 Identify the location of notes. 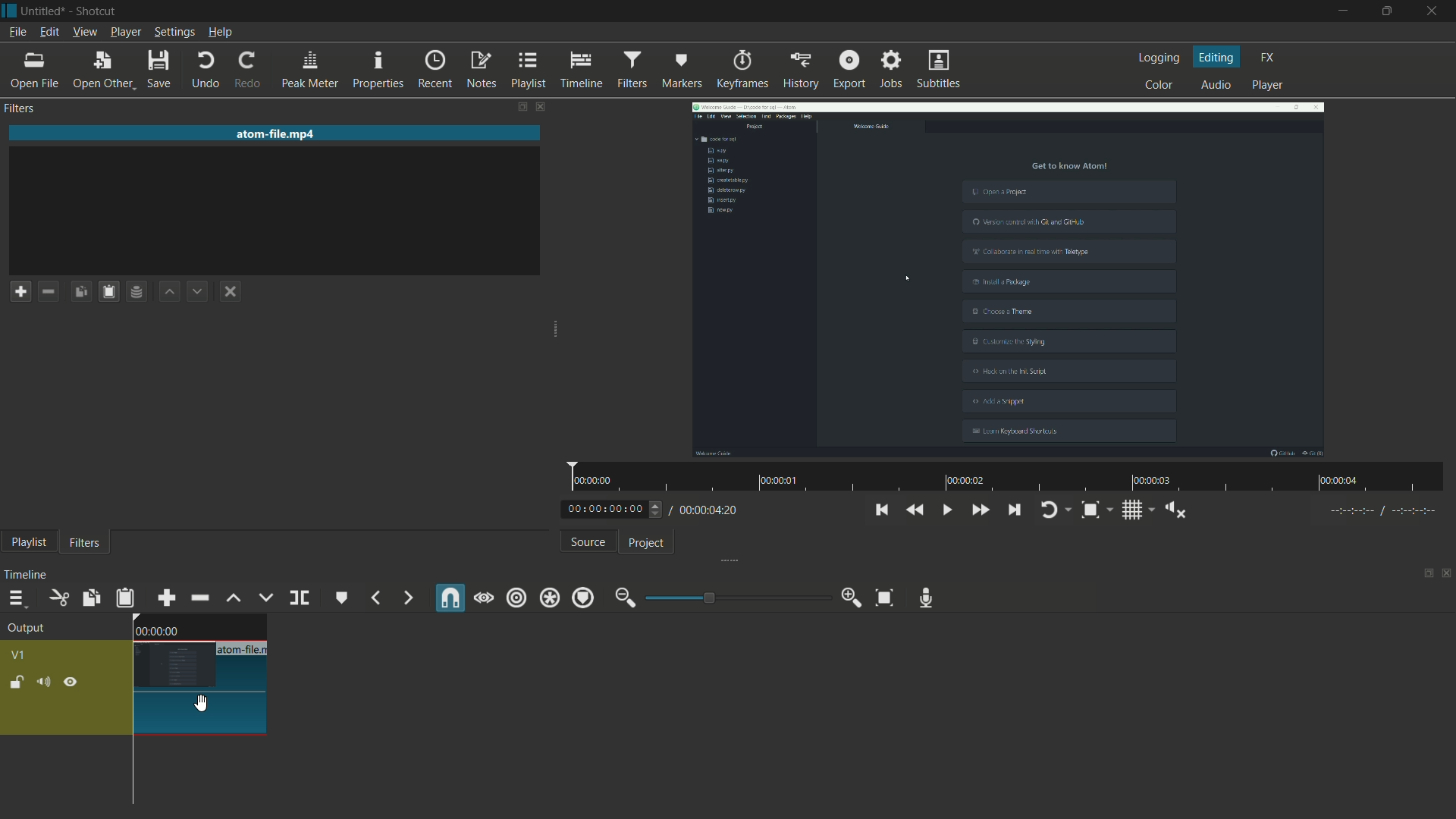
(479, 68).